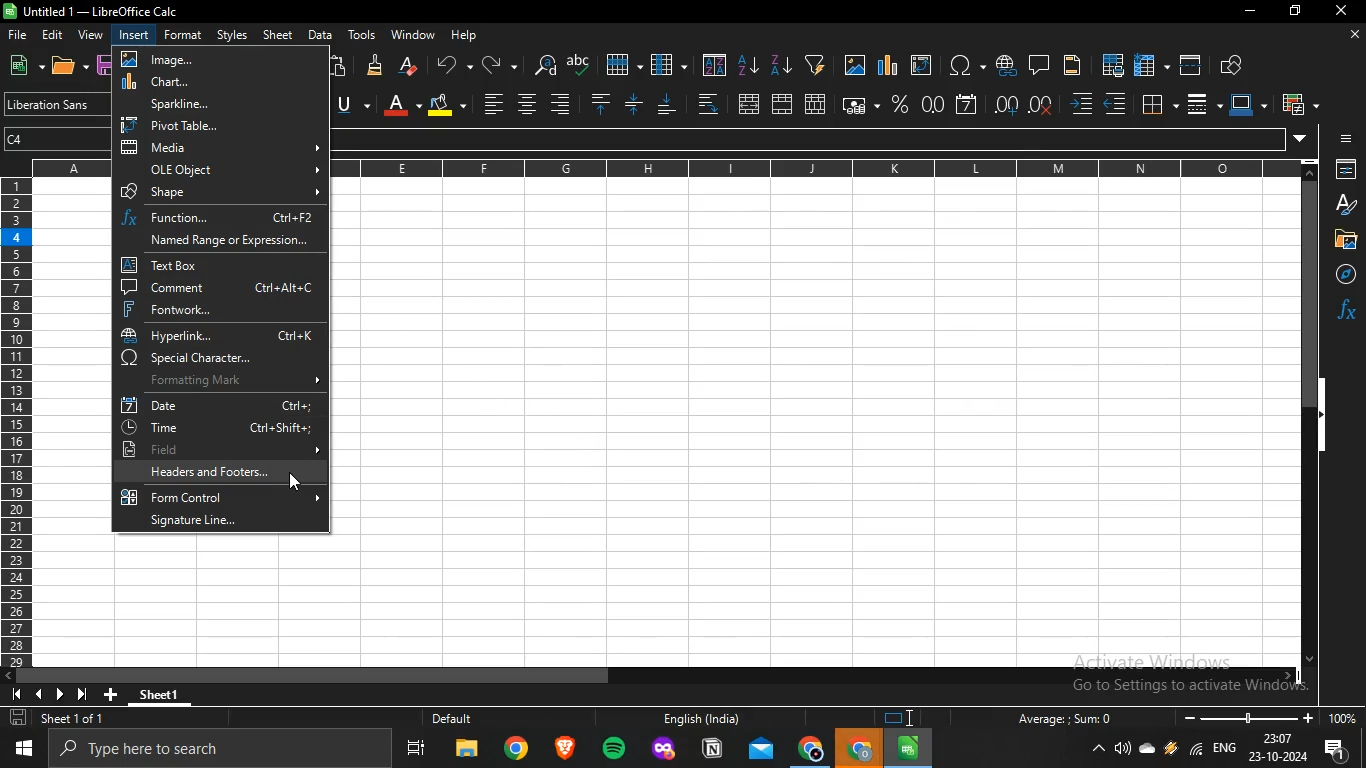 Image resolution: width=1366 pixels, height=768 pixels. Describe the element at coordinates (1346, 140) in the screenshot. I see `icon` at that location.